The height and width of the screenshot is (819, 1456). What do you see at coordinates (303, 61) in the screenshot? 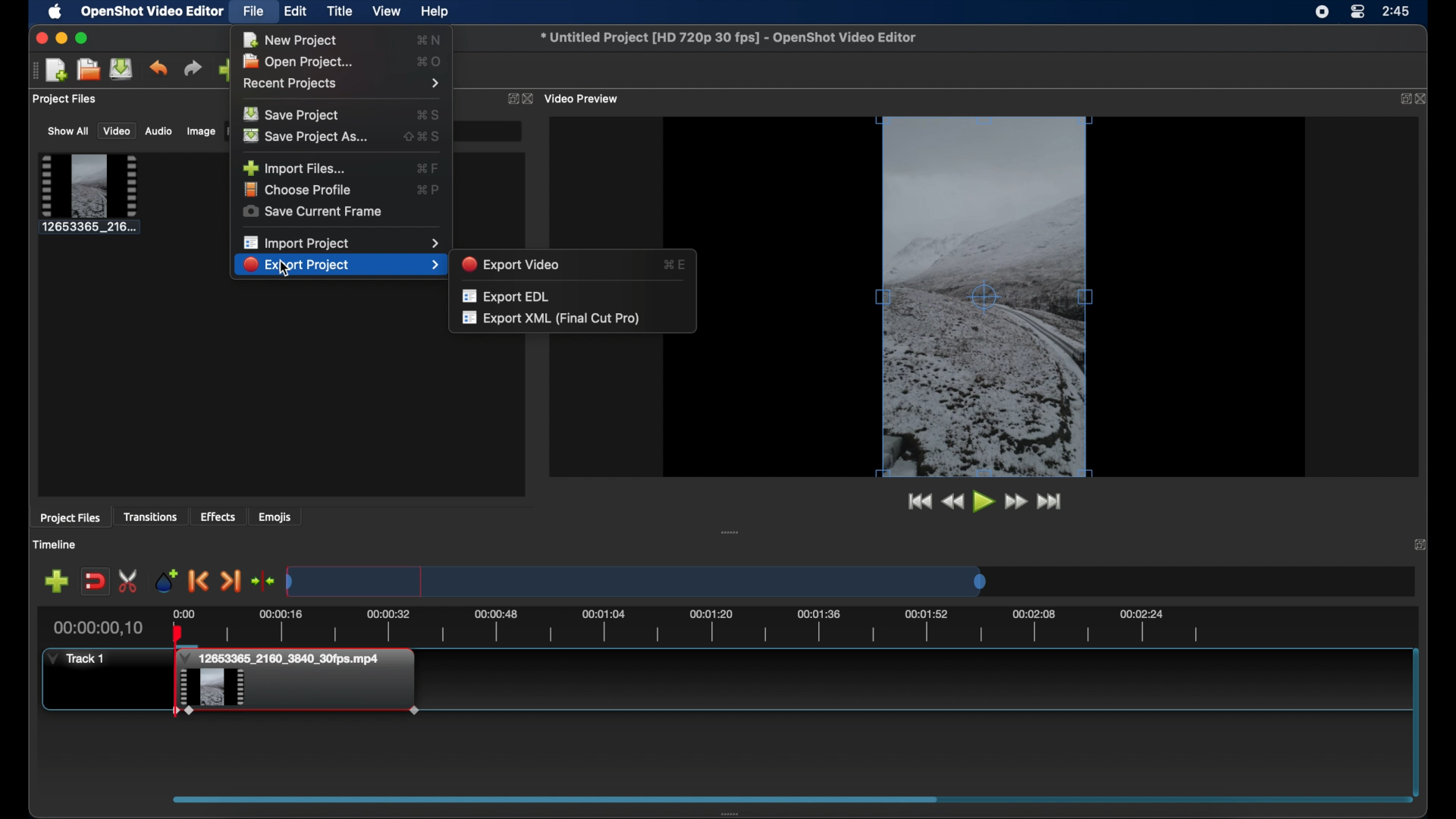
I see `open project` at bounding box center [303, 61].